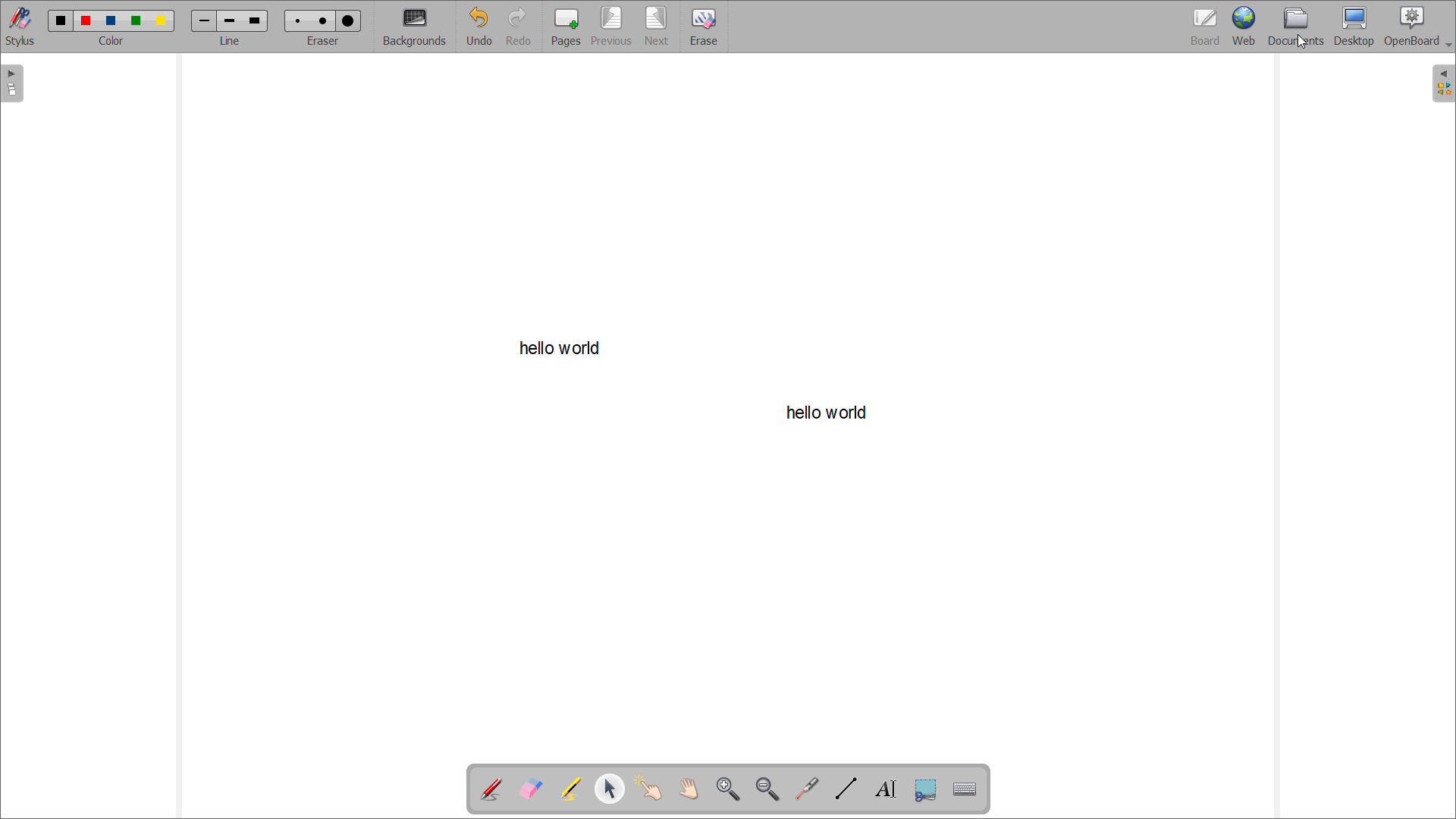 The width and height of the screenshot is (1456, 819). Describe the element at coordinates (613, 25) in the screenshot. I see `previous page` at that location.